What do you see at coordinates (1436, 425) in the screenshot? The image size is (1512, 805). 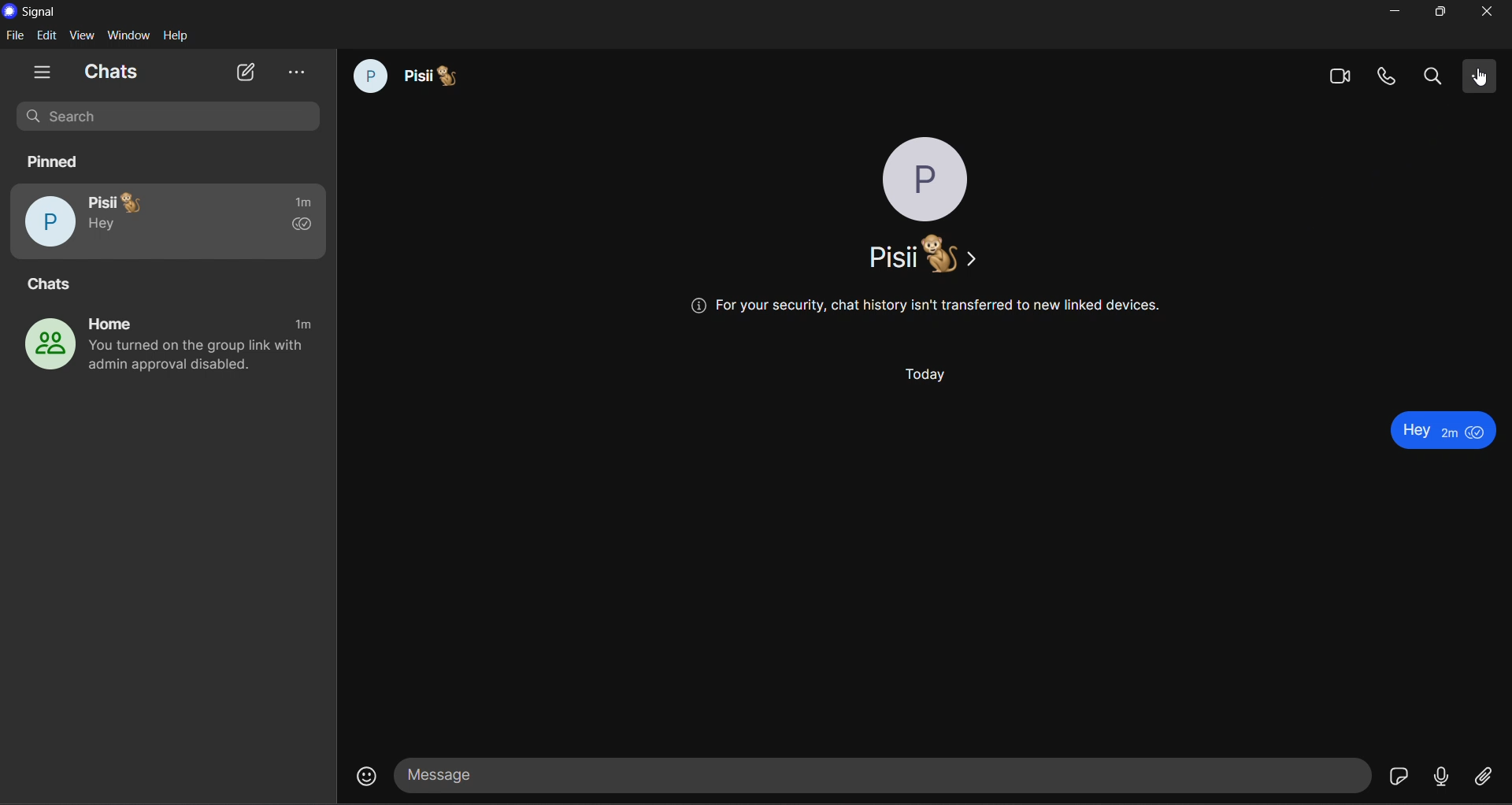 I see `text` at bounding box center [1436, 425].